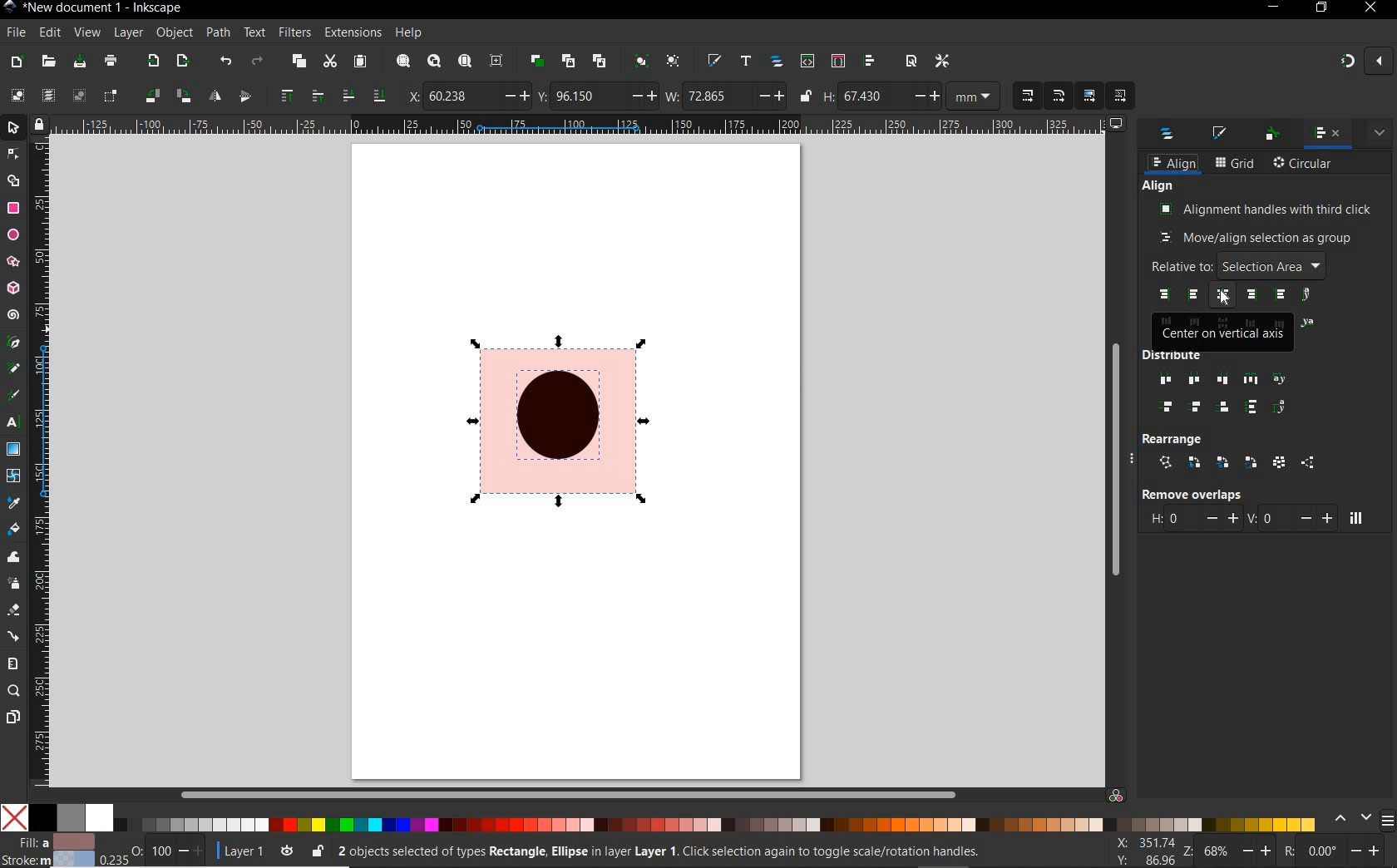 The image size is (1397, 868). I want to click on eraser tool, so click(12, 611).